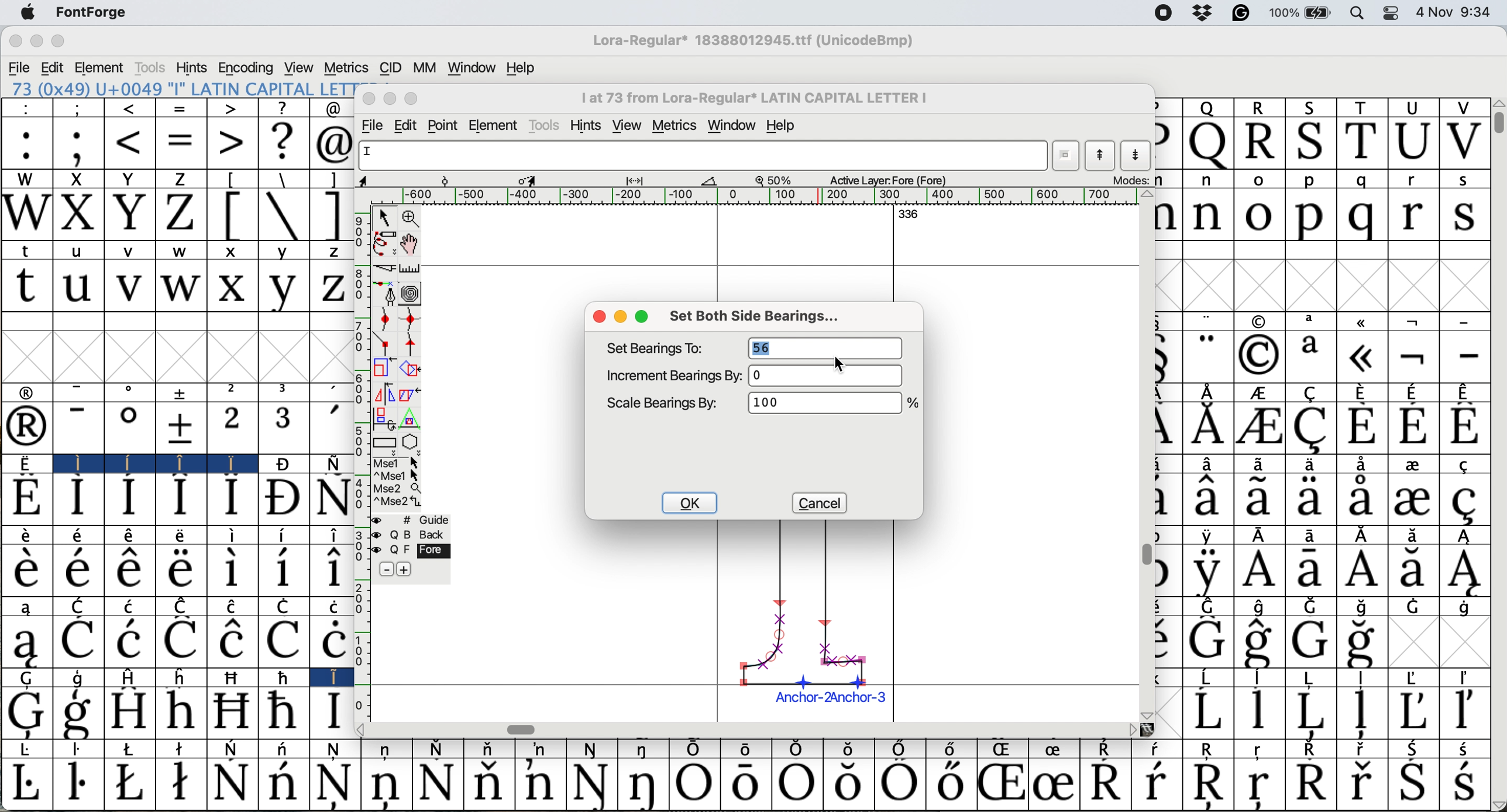 This screenshot has width=1507, height=812. Describe the element at coordinates (1415, 676) in the screenshot. I see `Symbol` at that location.